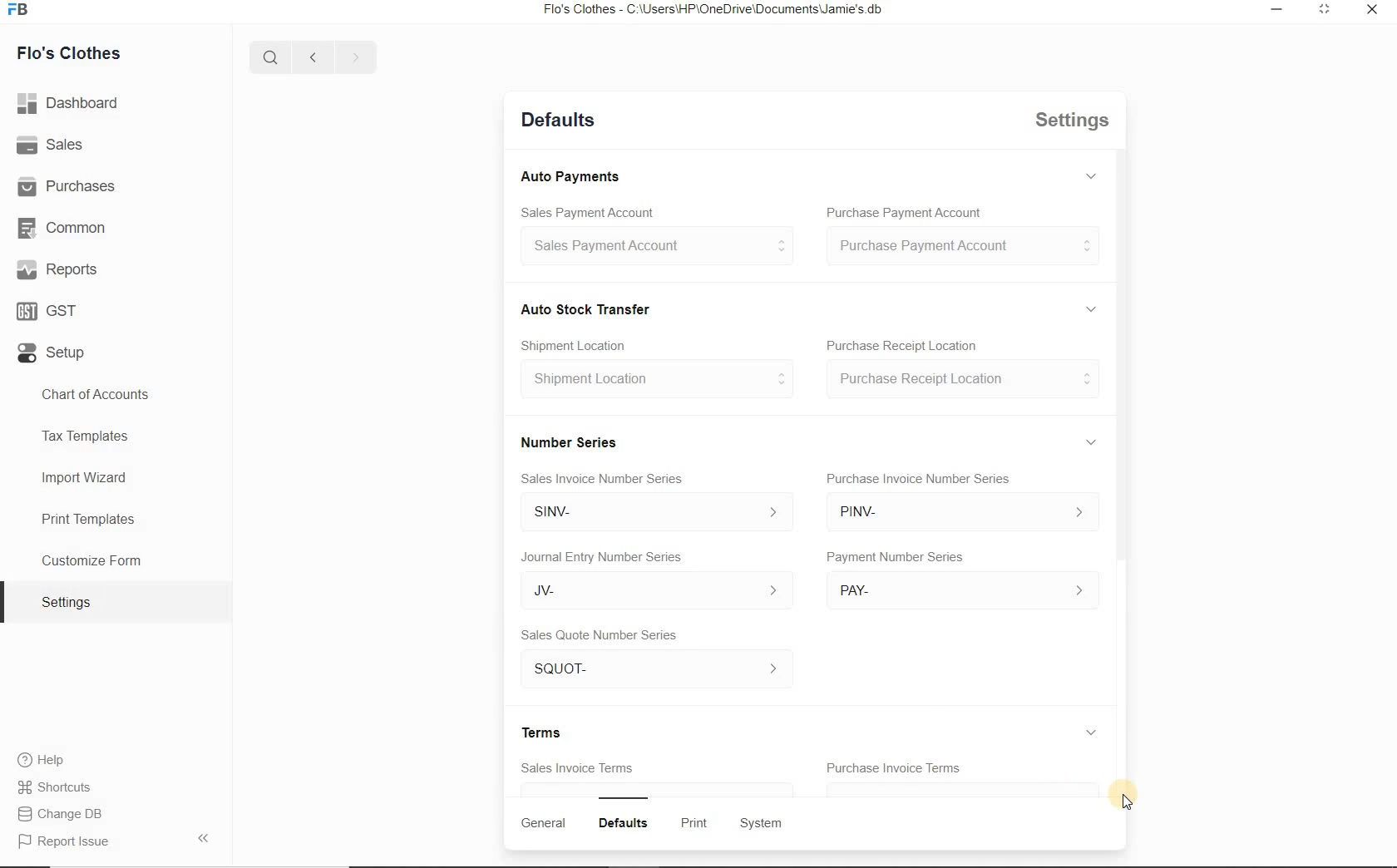 The width and height of the screenshot is (1397, 868). Describe the element at coordinates (70, 186) in the screenshot. I see `Purchases` at that location.